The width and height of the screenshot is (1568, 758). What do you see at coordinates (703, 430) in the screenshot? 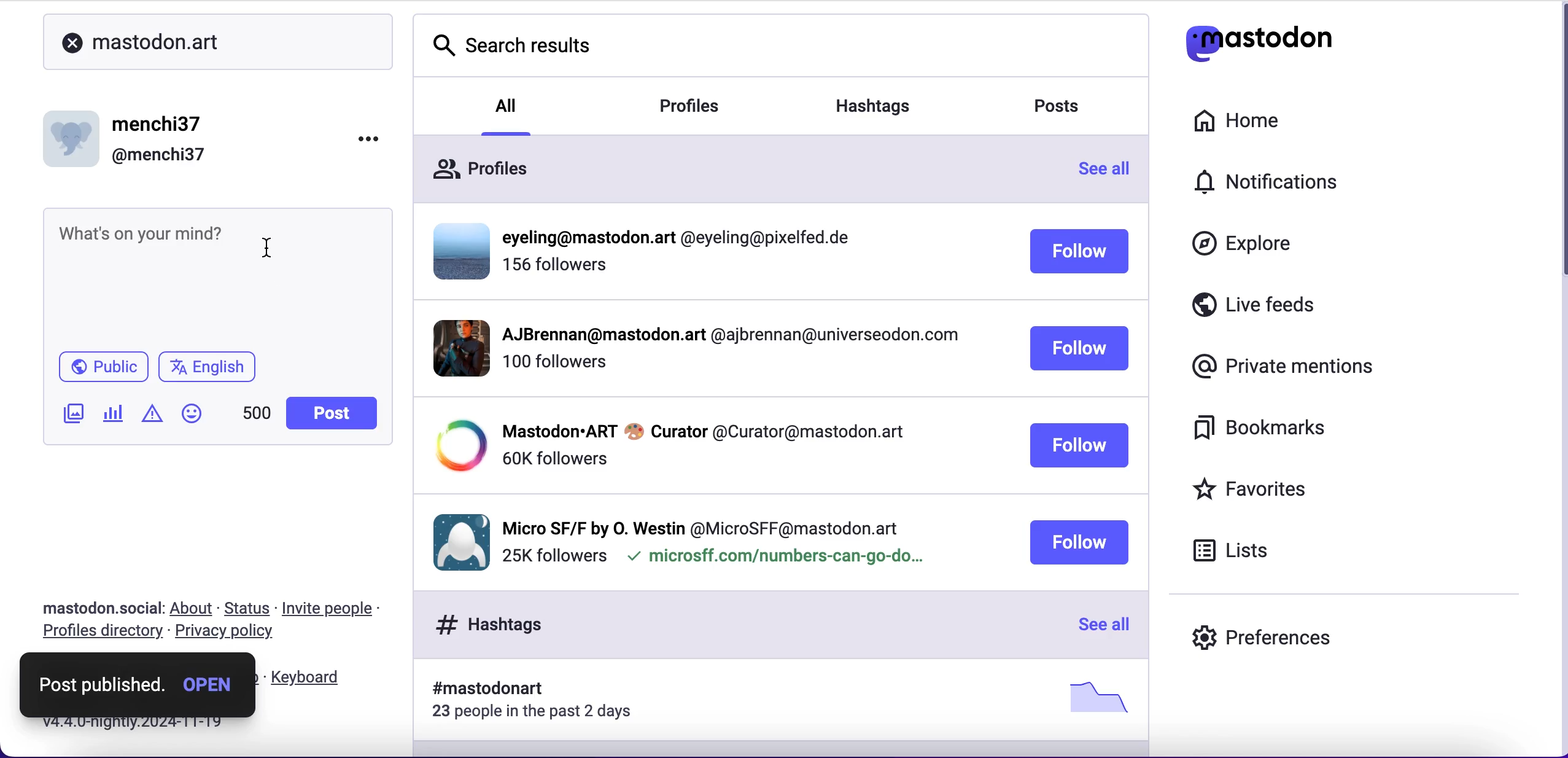
I see `profile` at bounding box center [703, 430].